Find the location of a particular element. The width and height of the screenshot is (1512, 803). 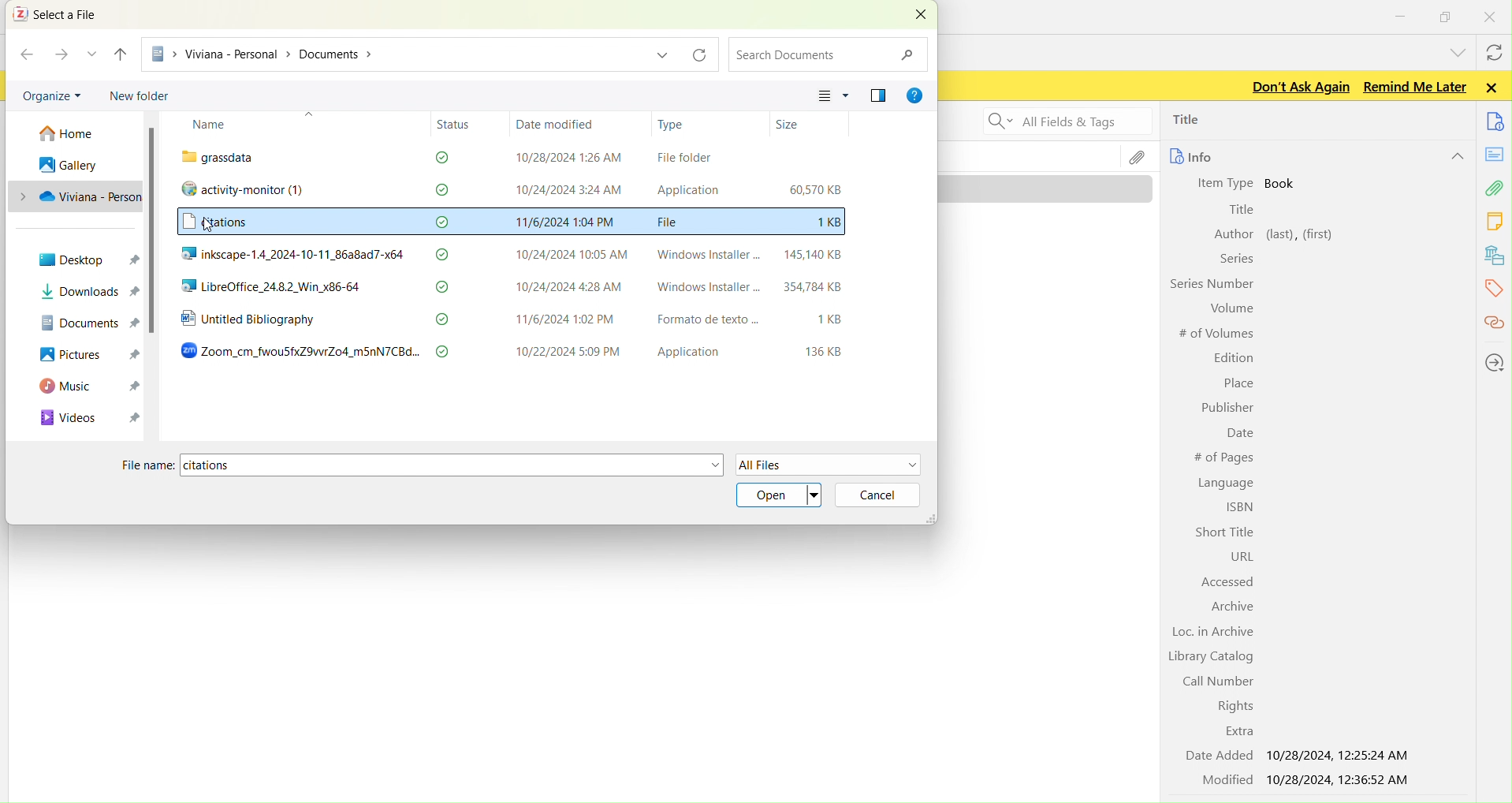

citations is located at coordinates (1495, 323).